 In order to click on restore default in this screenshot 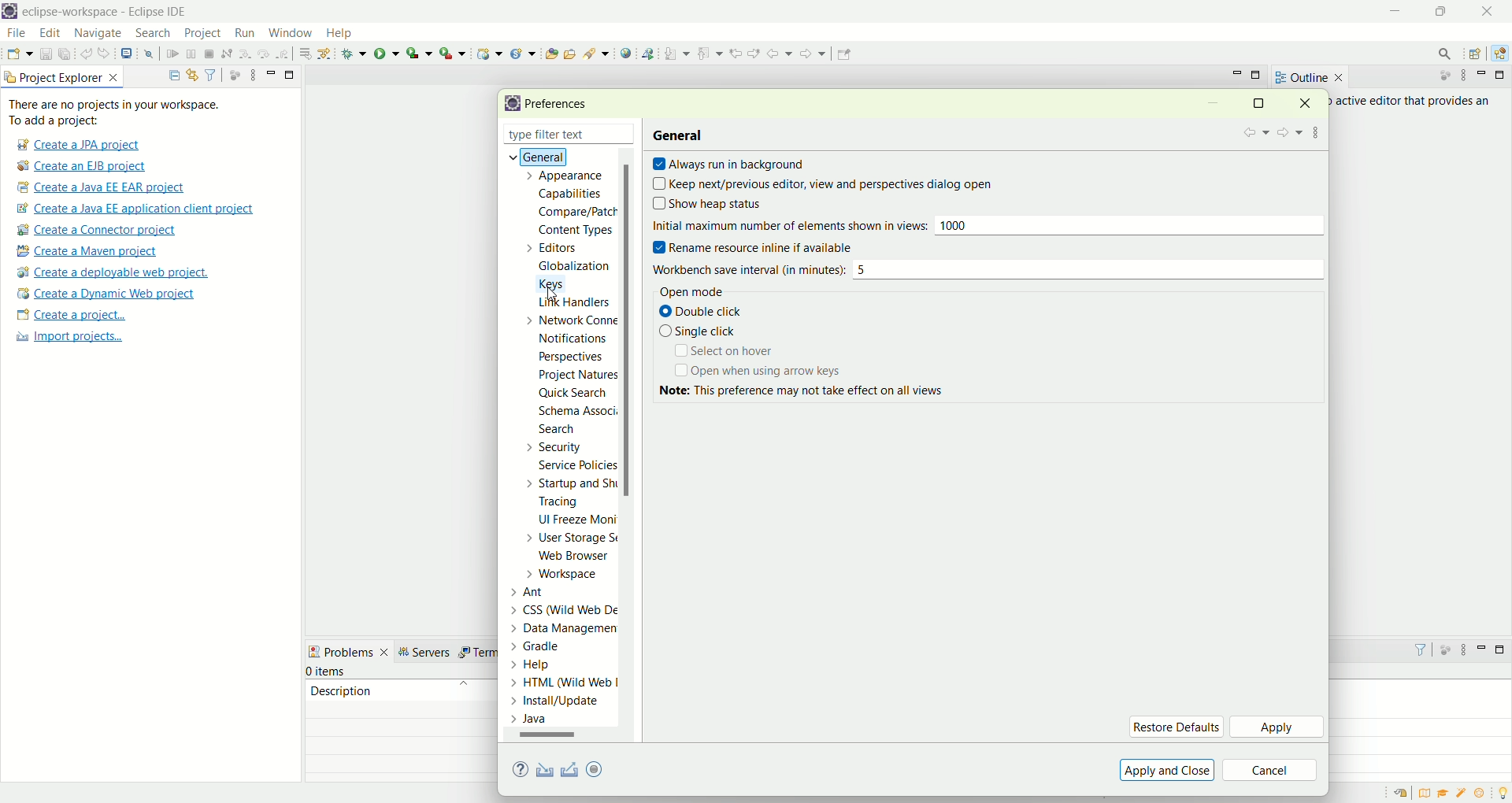, I will do `click(1176, 727)`.